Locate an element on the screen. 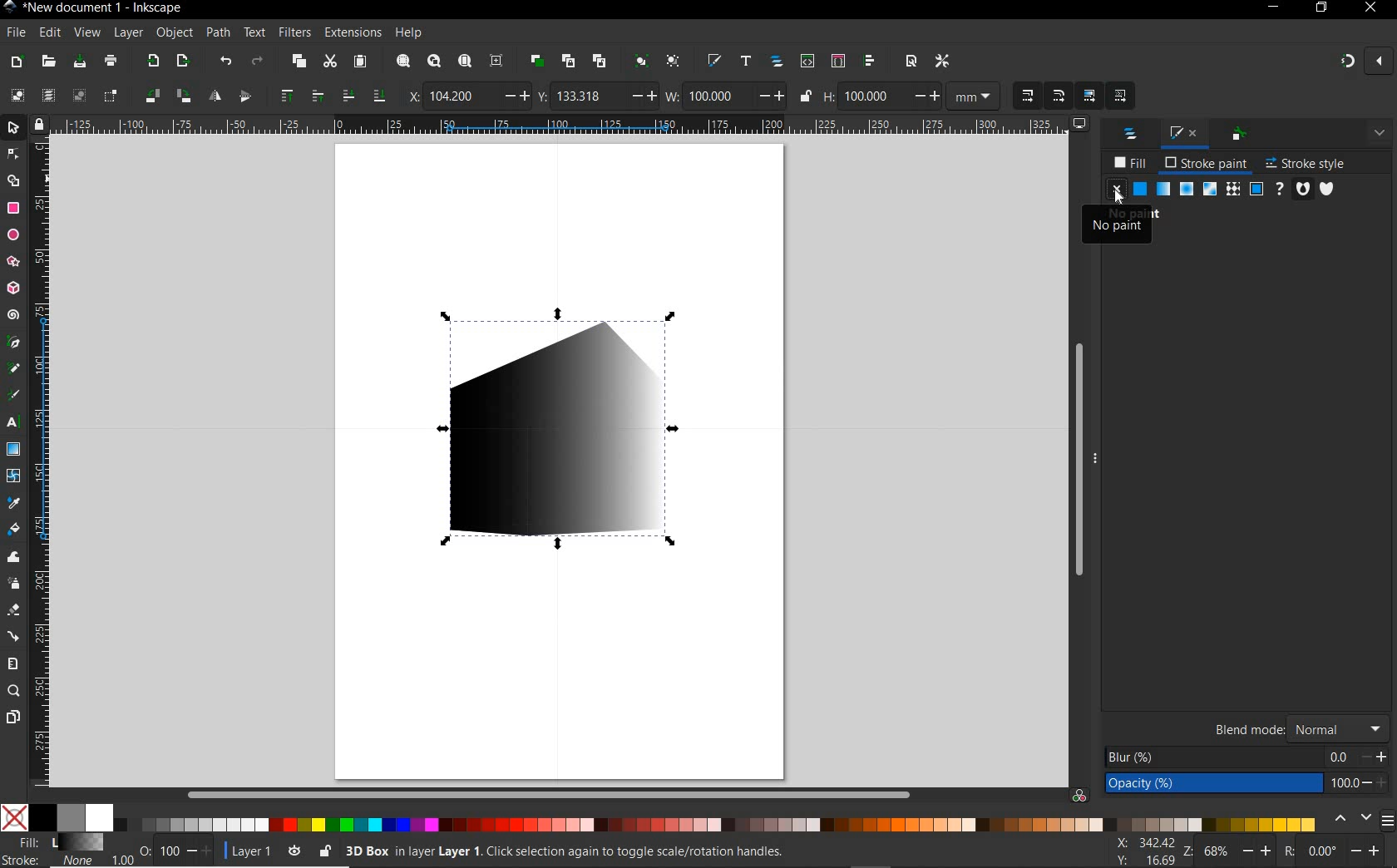 The height and width of the screenshot is (868, 1397). HEIGHT OF SELECTION is located at coordinates (830, 96).